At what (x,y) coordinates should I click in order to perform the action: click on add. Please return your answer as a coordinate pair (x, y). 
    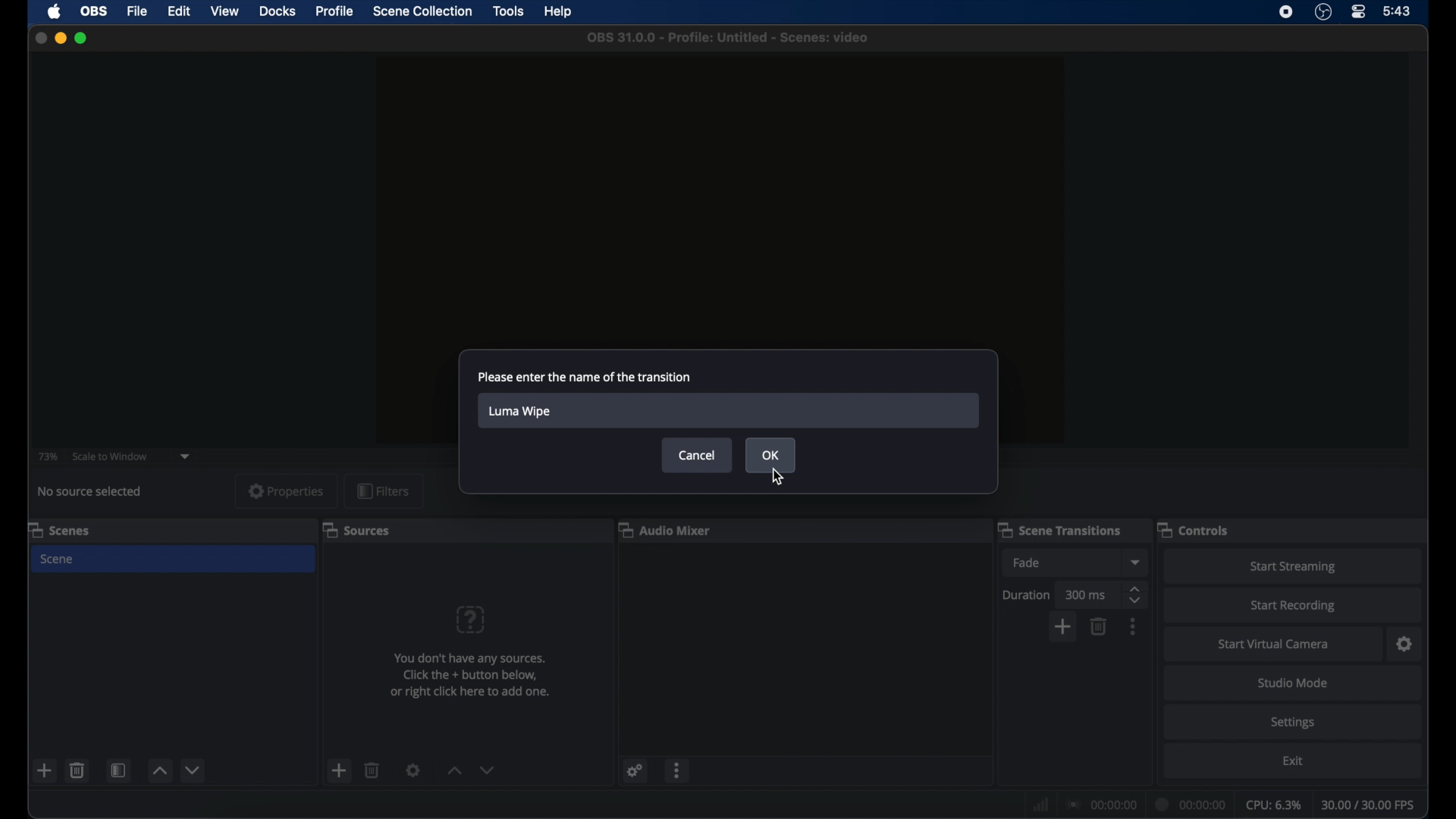
    Looking at the image, I should click on (340, 770).